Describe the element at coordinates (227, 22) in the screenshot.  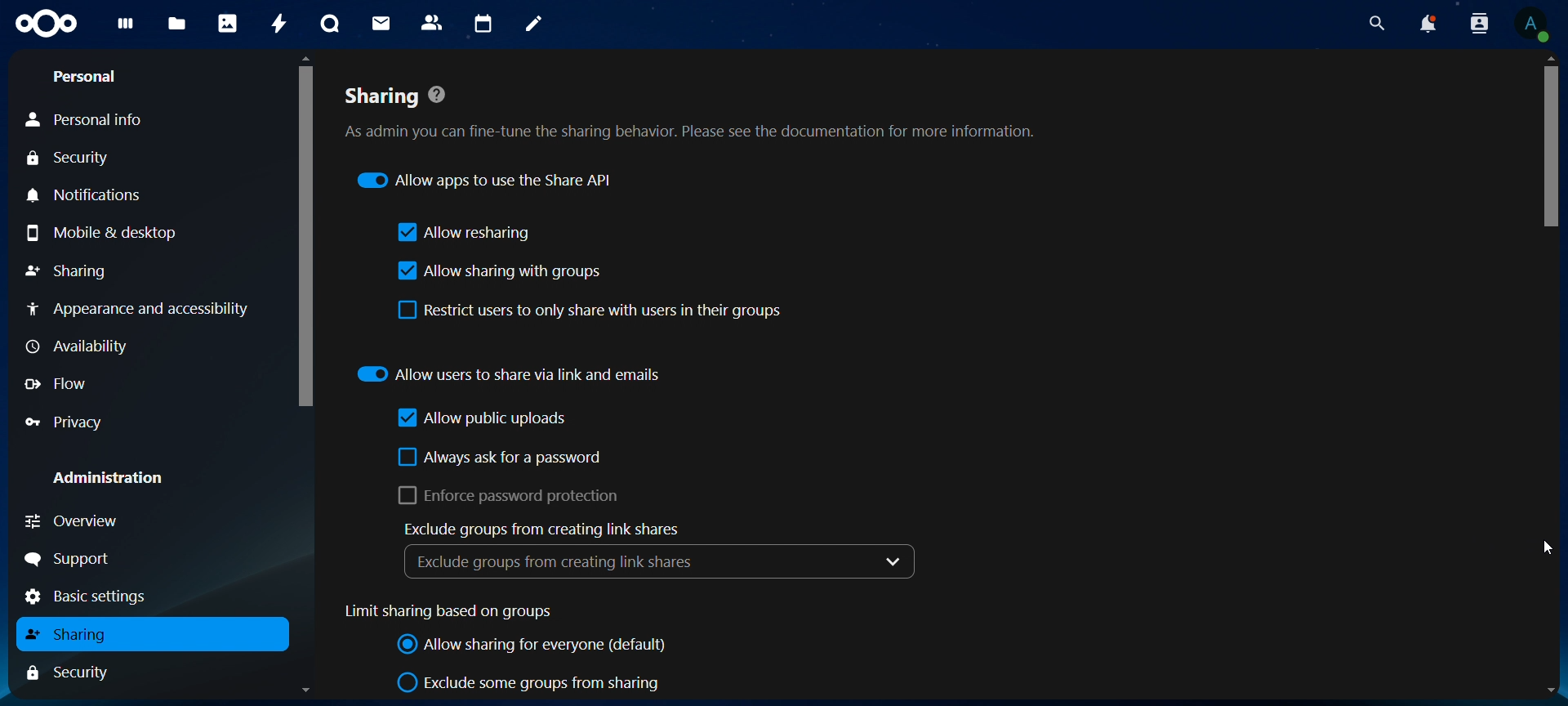
I see `photos` at that location.